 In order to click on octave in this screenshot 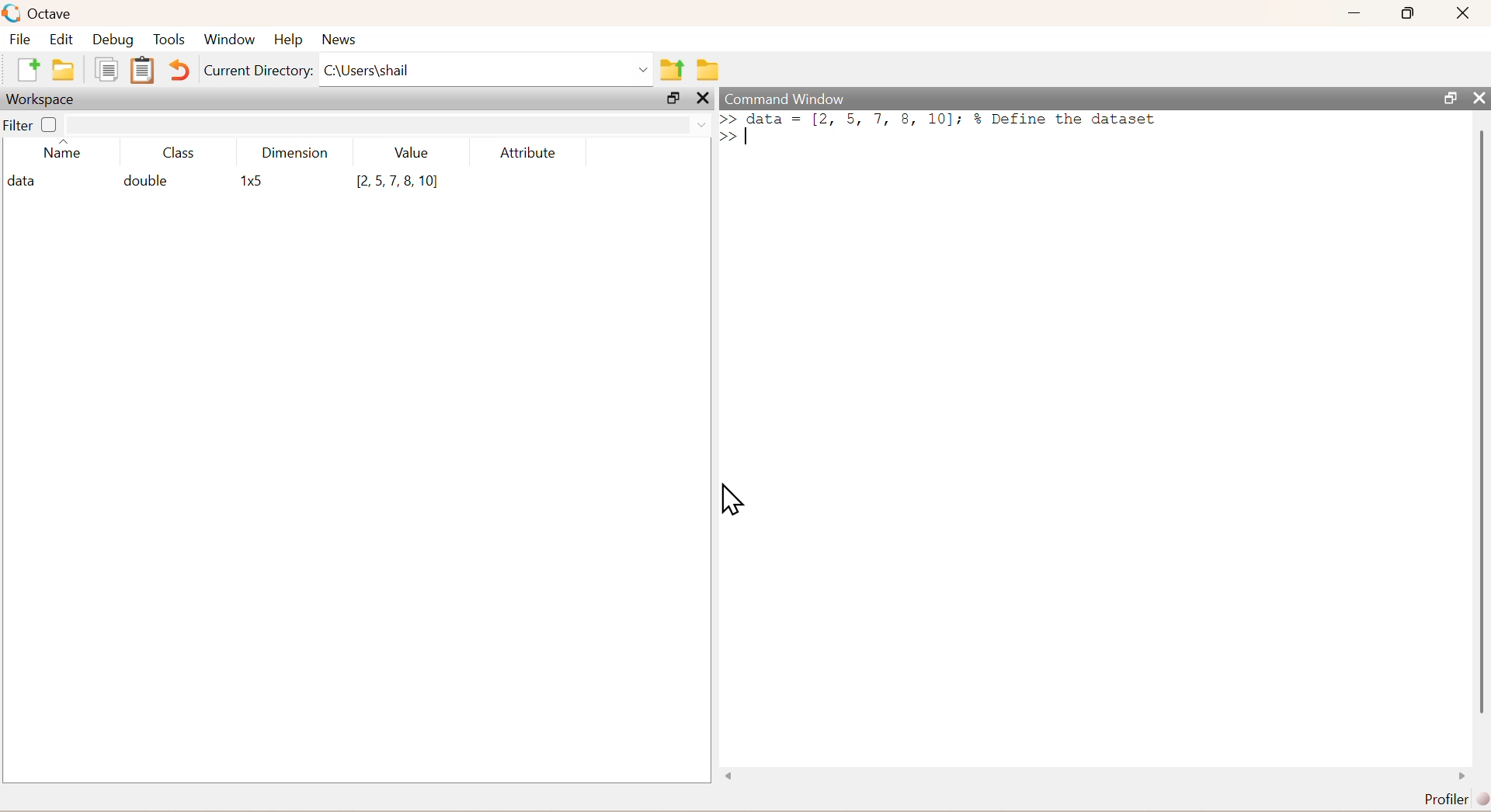, I will do `click(53, 15)`.